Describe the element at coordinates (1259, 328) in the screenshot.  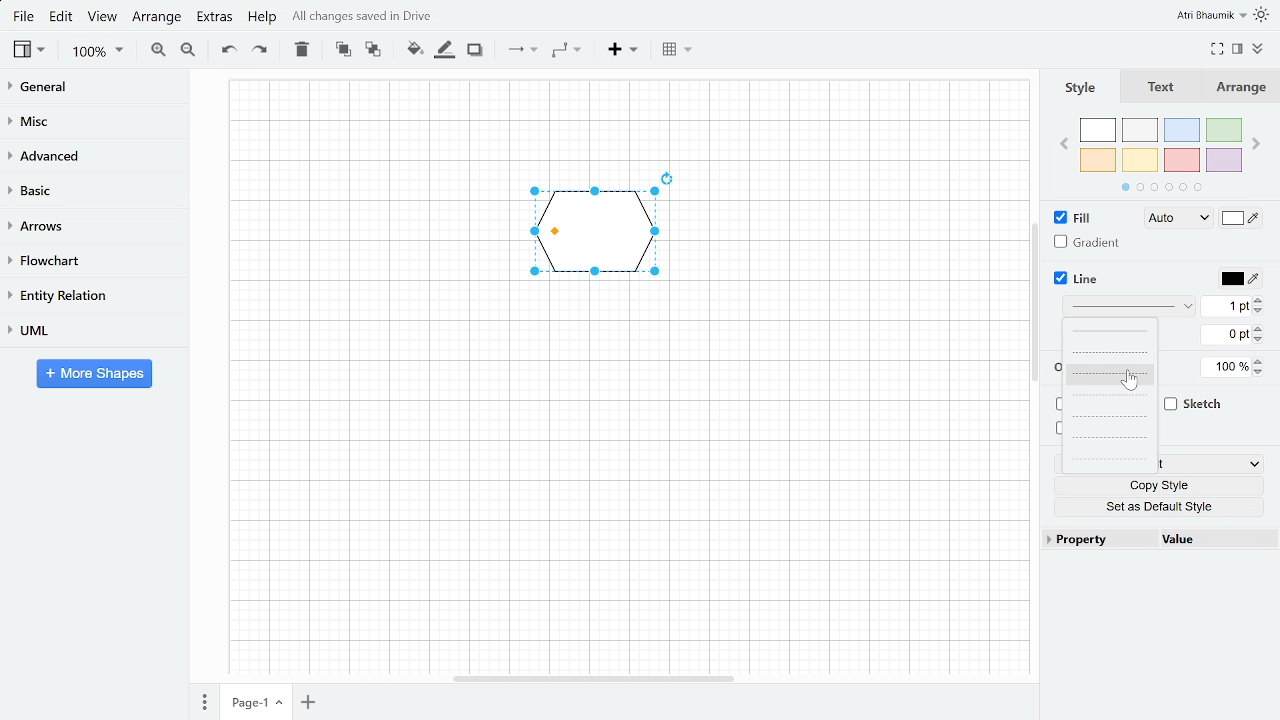
I see `Increase line perimeter` at that location.